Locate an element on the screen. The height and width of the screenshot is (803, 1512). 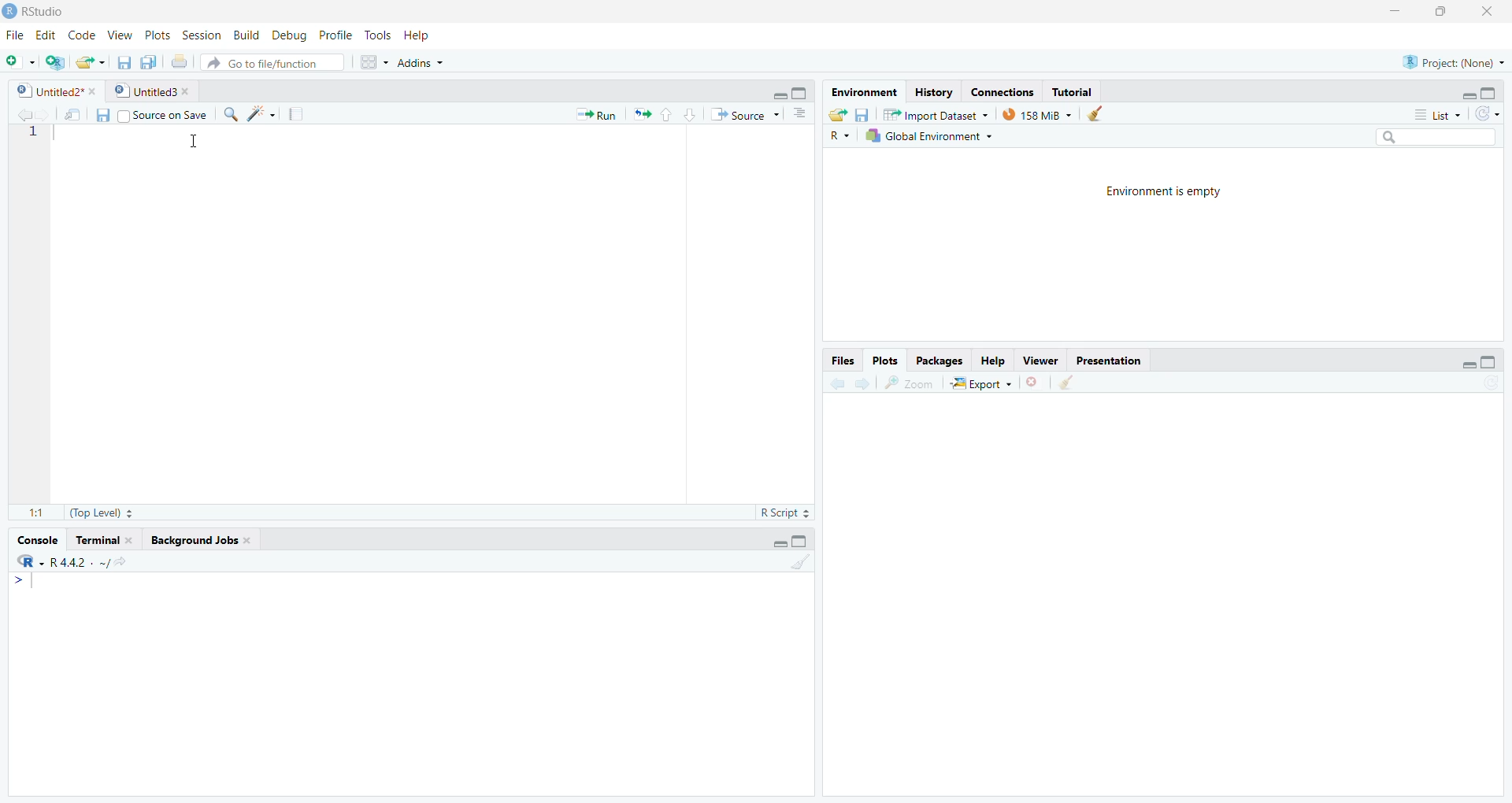
“Import Dataset ~ is located at coordinates (935, 114).